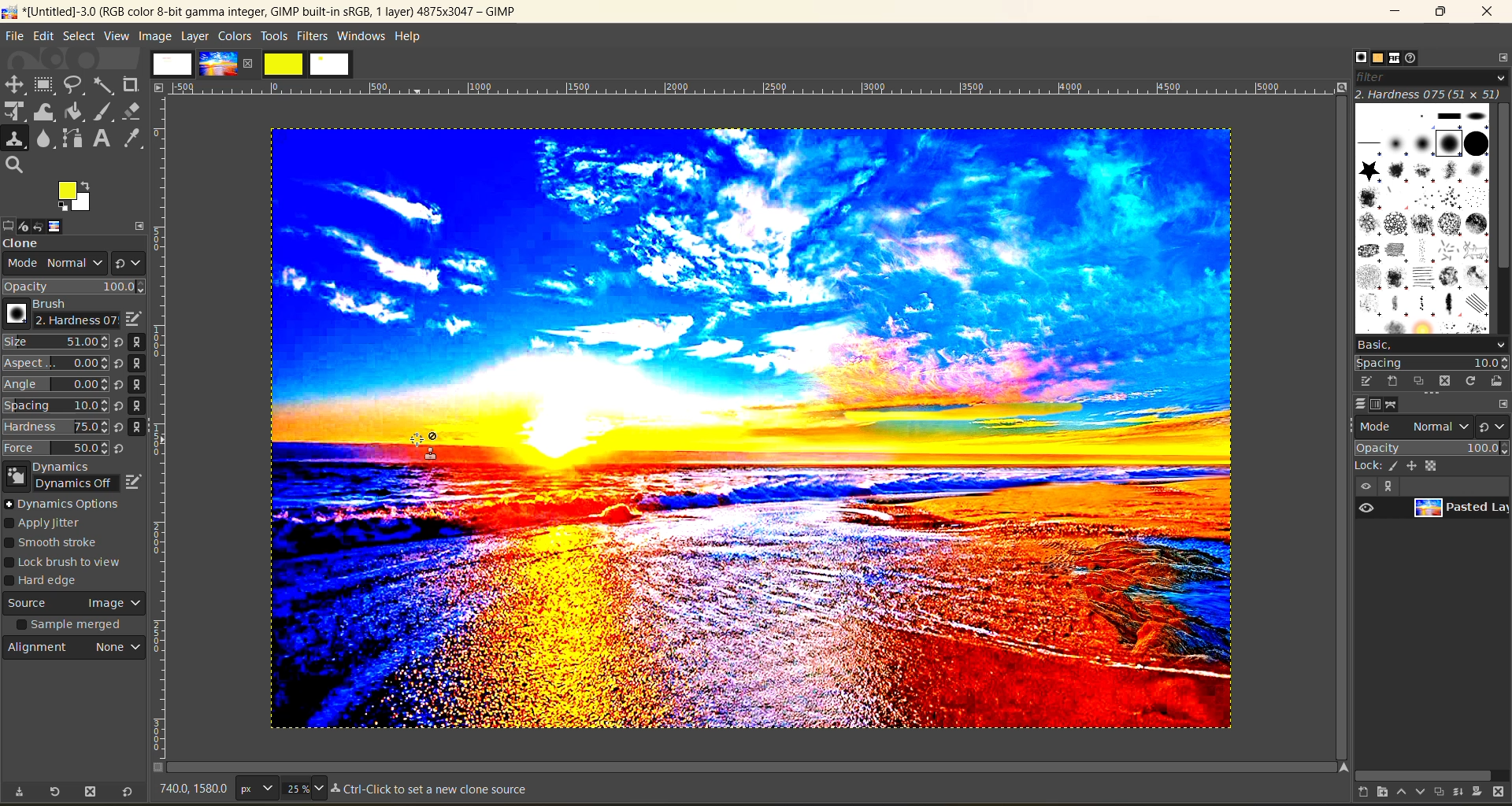 Image resolution: width=1512 pixels, height=806 pixels. Describe the element at coordinates (56, 386) in the screenshot. I see `Angle 0.00` at that location.